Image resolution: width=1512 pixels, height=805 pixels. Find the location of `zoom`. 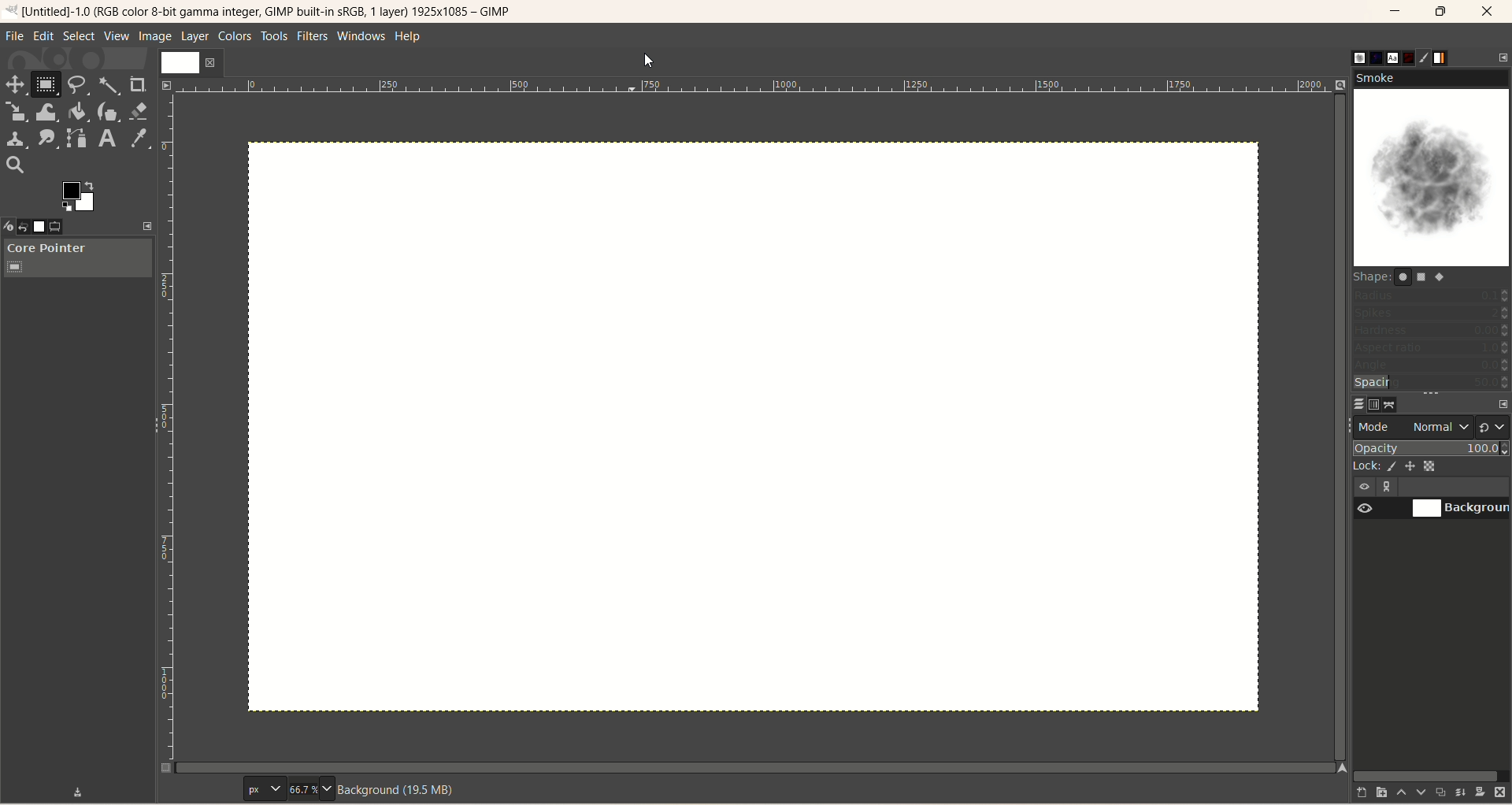

zoom is located at coordinates (1342, 86).